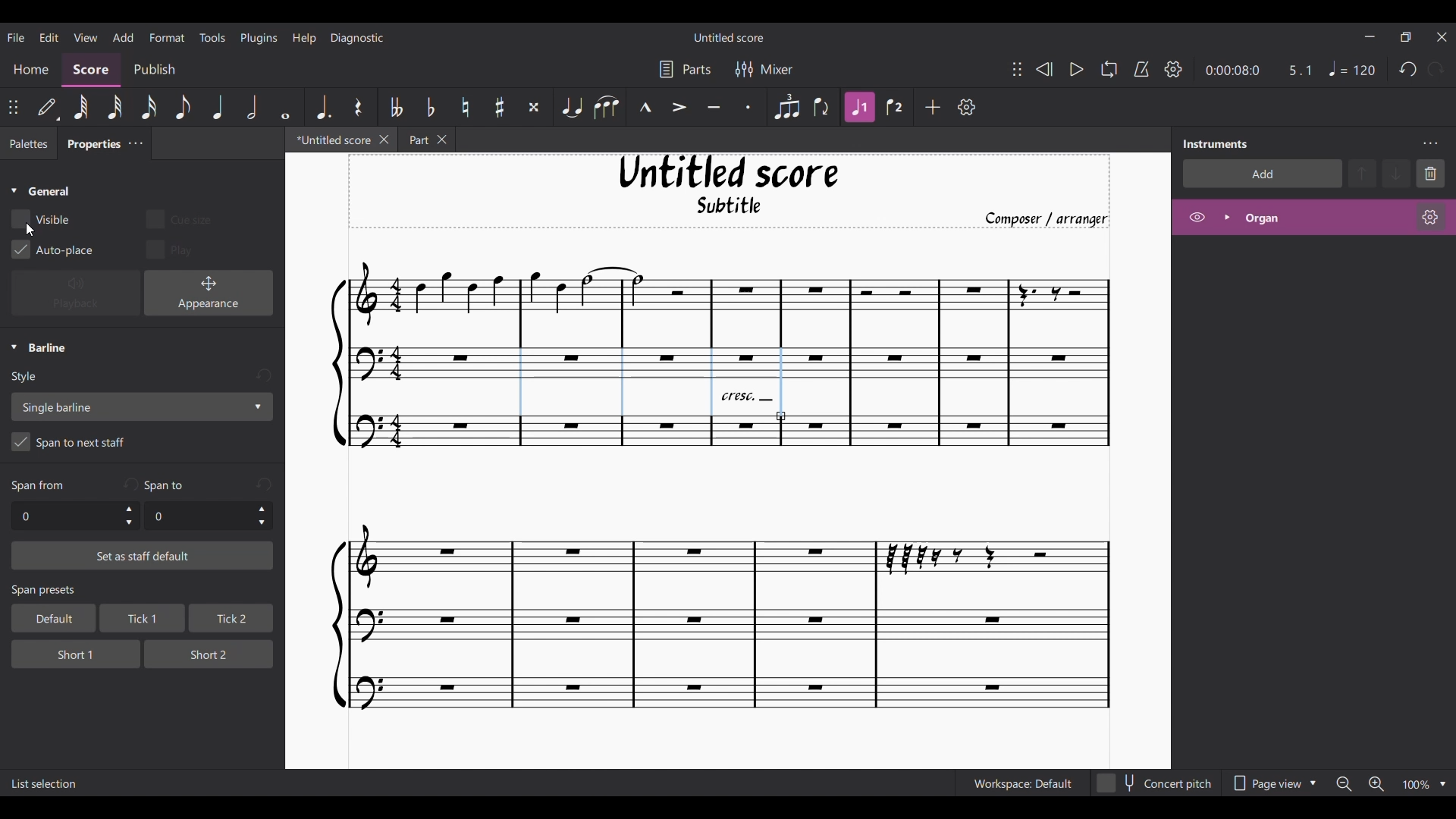  I want to click on Staccato, so click(749, 107).